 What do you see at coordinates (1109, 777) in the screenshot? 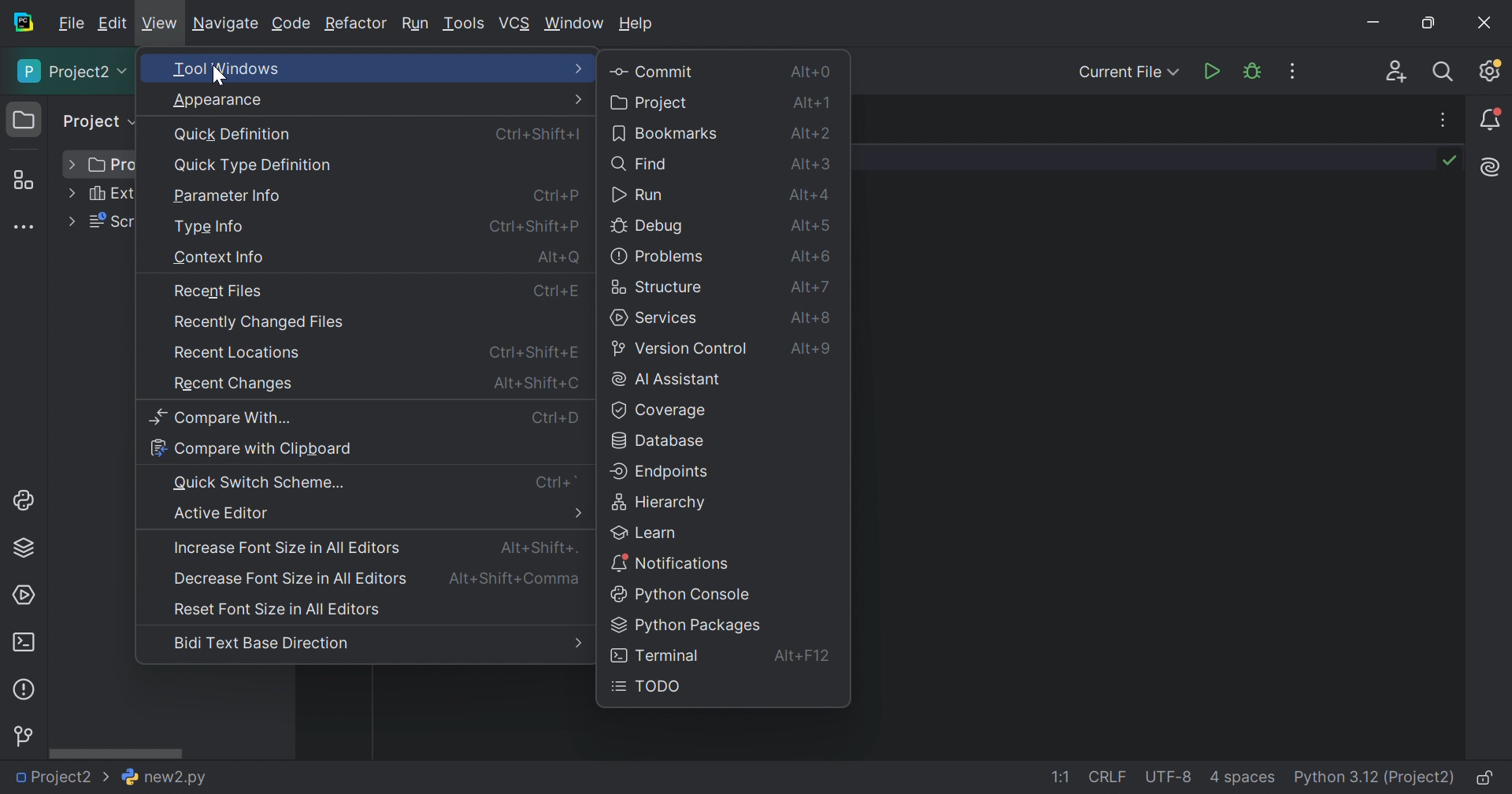
I see `CRLF` at bounding box center [1109, 777].